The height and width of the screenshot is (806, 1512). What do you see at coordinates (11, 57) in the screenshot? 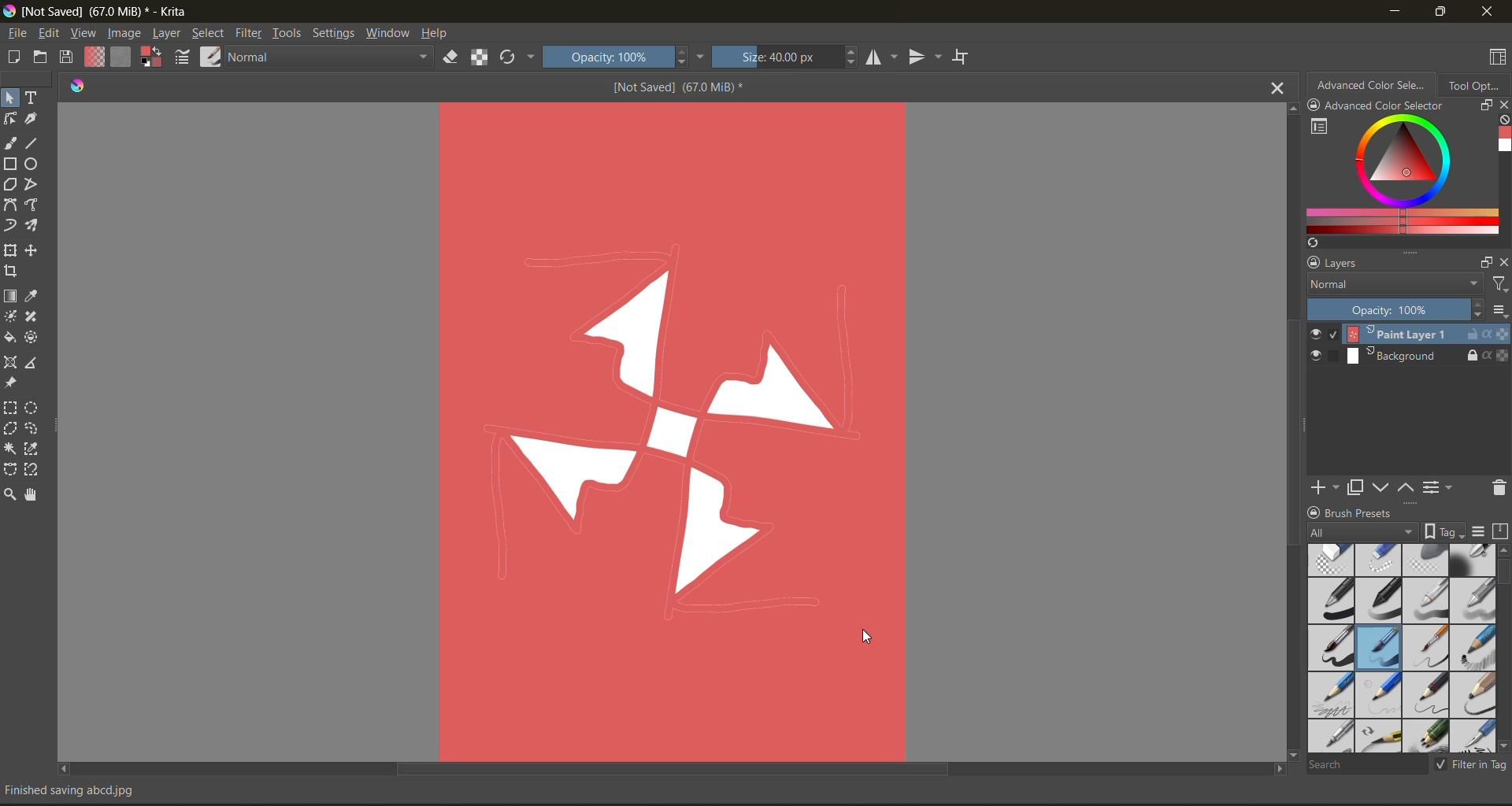
I see `create` at bounding box center [11, 57].